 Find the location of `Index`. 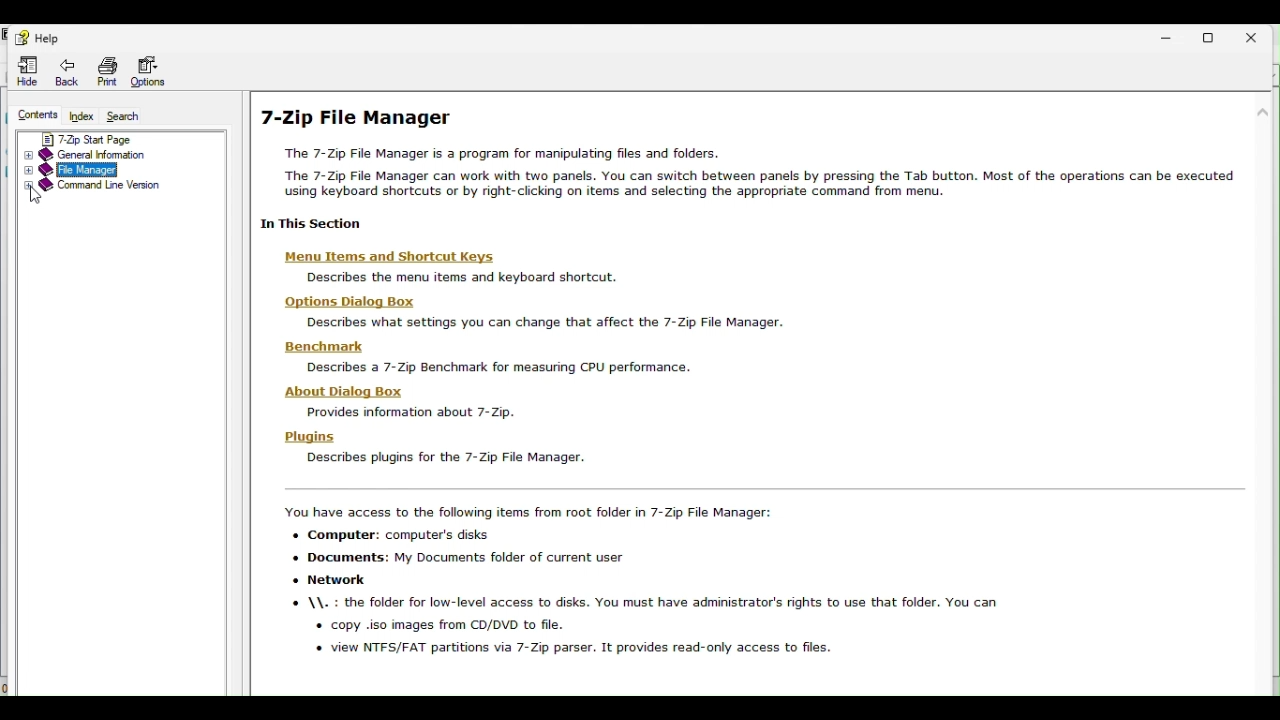

Index is located at coordinates (80, 118).